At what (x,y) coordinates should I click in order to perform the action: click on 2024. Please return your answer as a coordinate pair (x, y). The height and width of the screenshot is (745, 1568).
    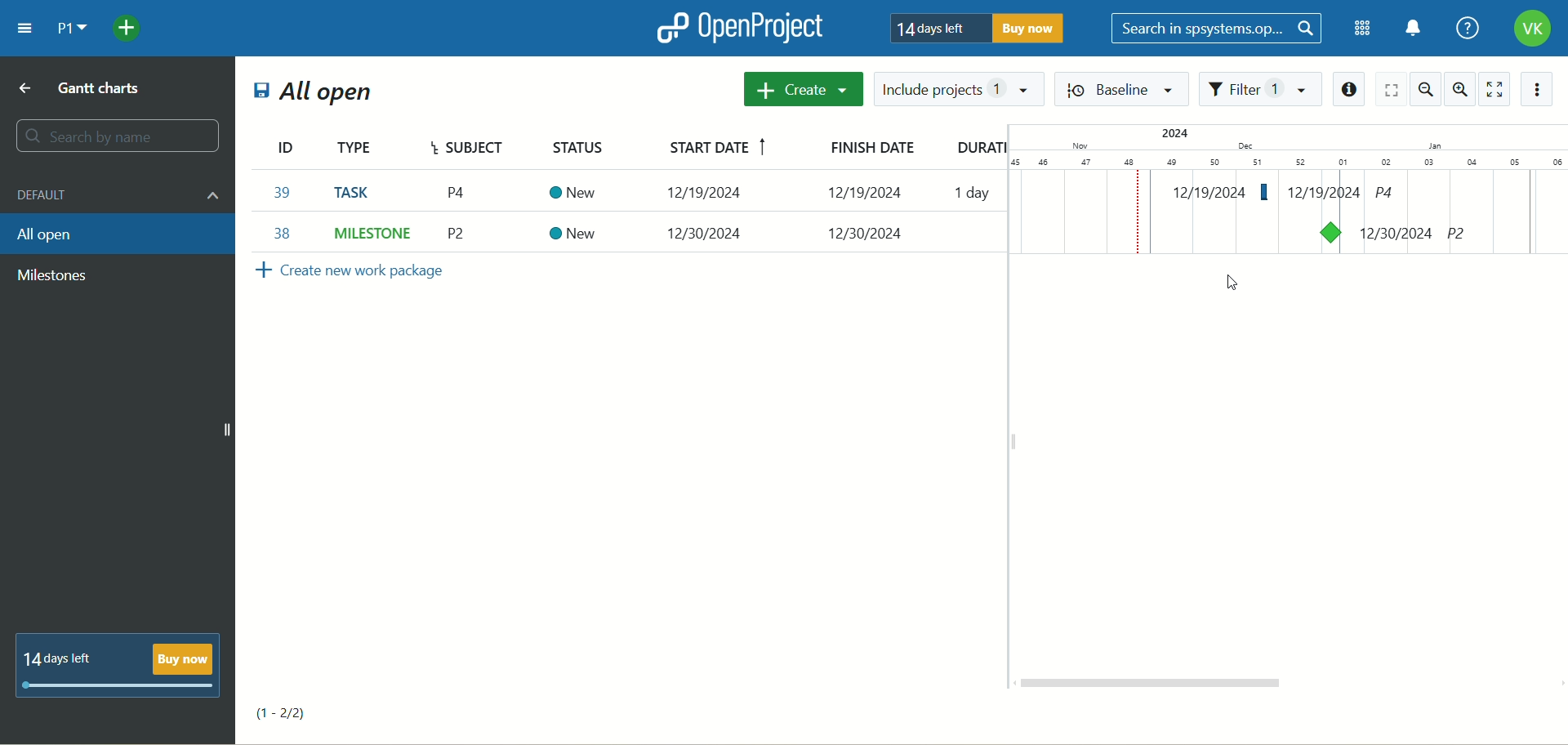
    Looking at the image, I should click on (1185, 135).